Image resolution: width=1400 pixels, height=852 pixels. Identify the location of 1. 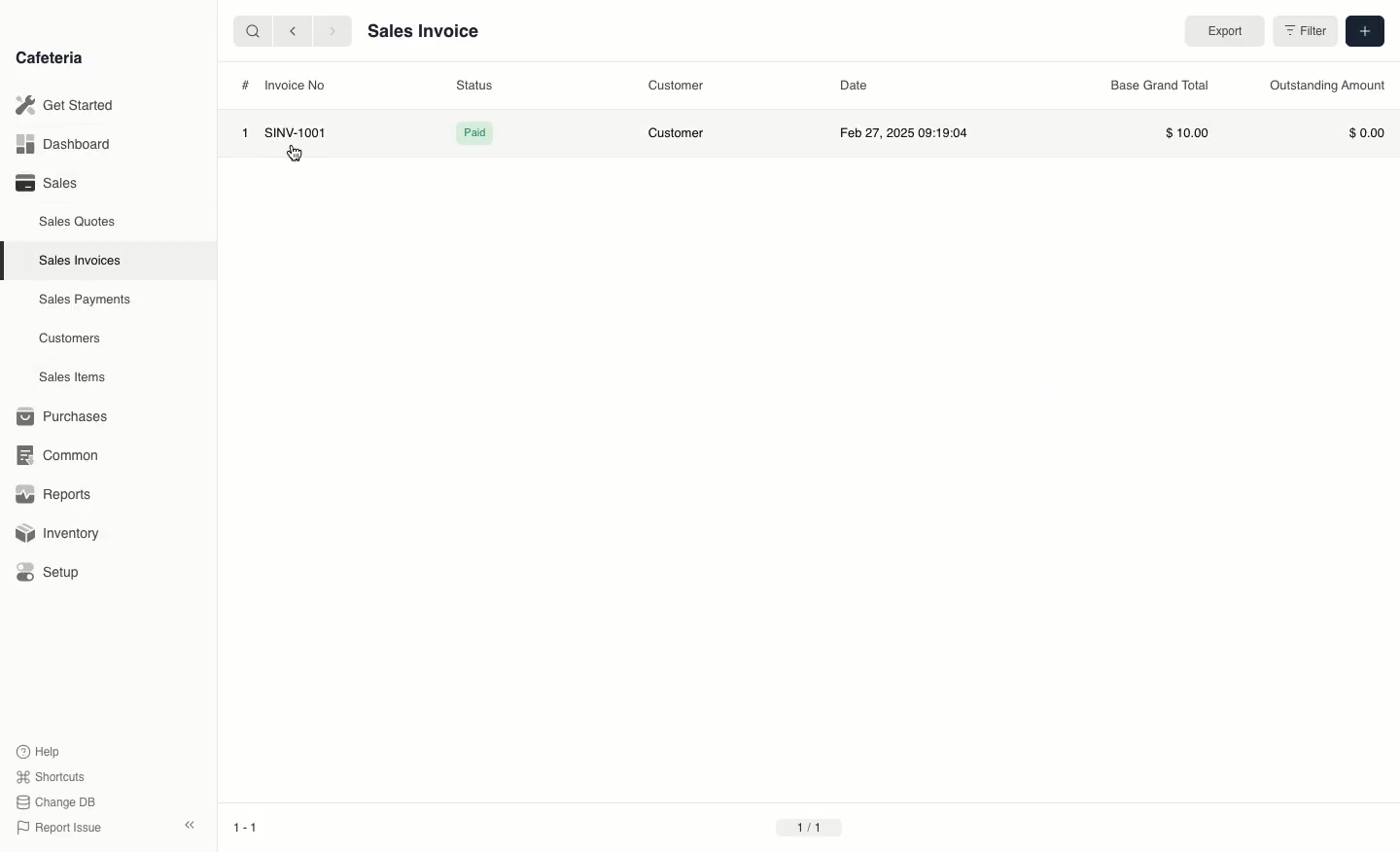
(243, 131).